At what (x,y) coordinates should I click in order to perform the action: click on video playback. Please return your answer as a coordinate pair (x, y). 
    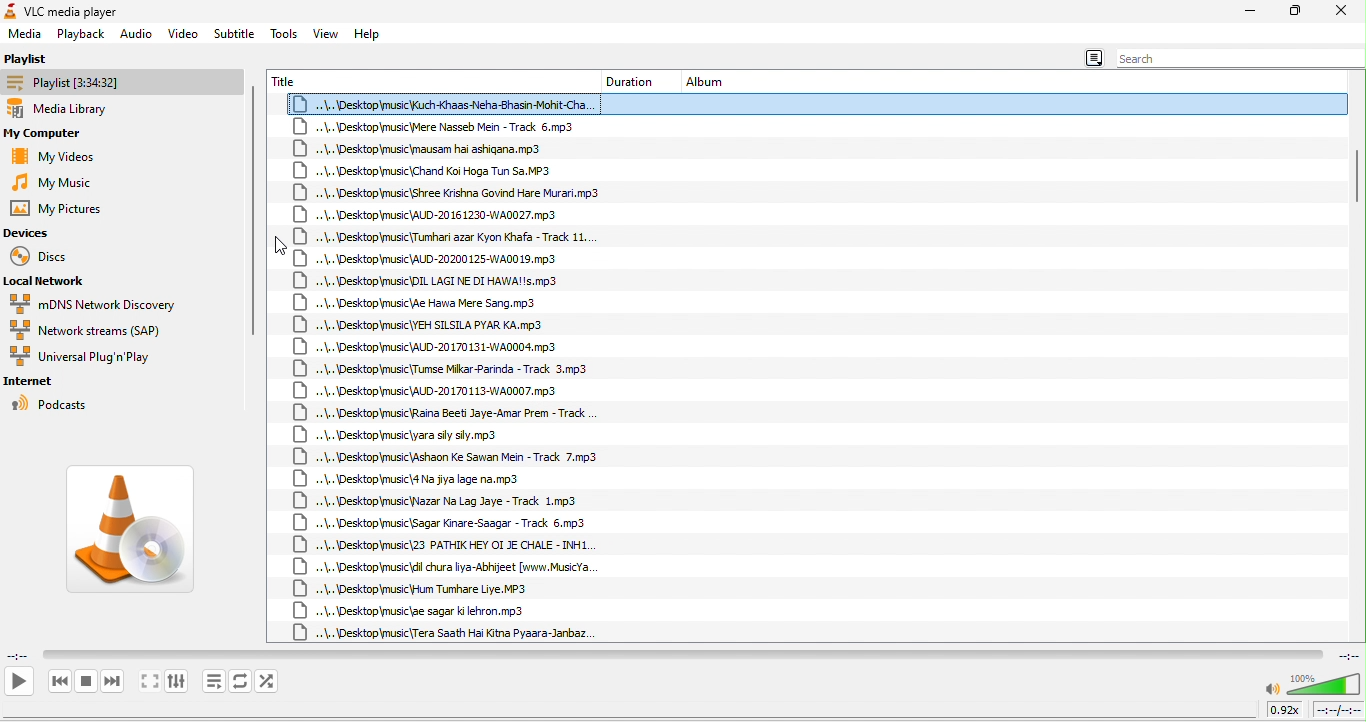
    Looking at the image, I should click on (682, 654).